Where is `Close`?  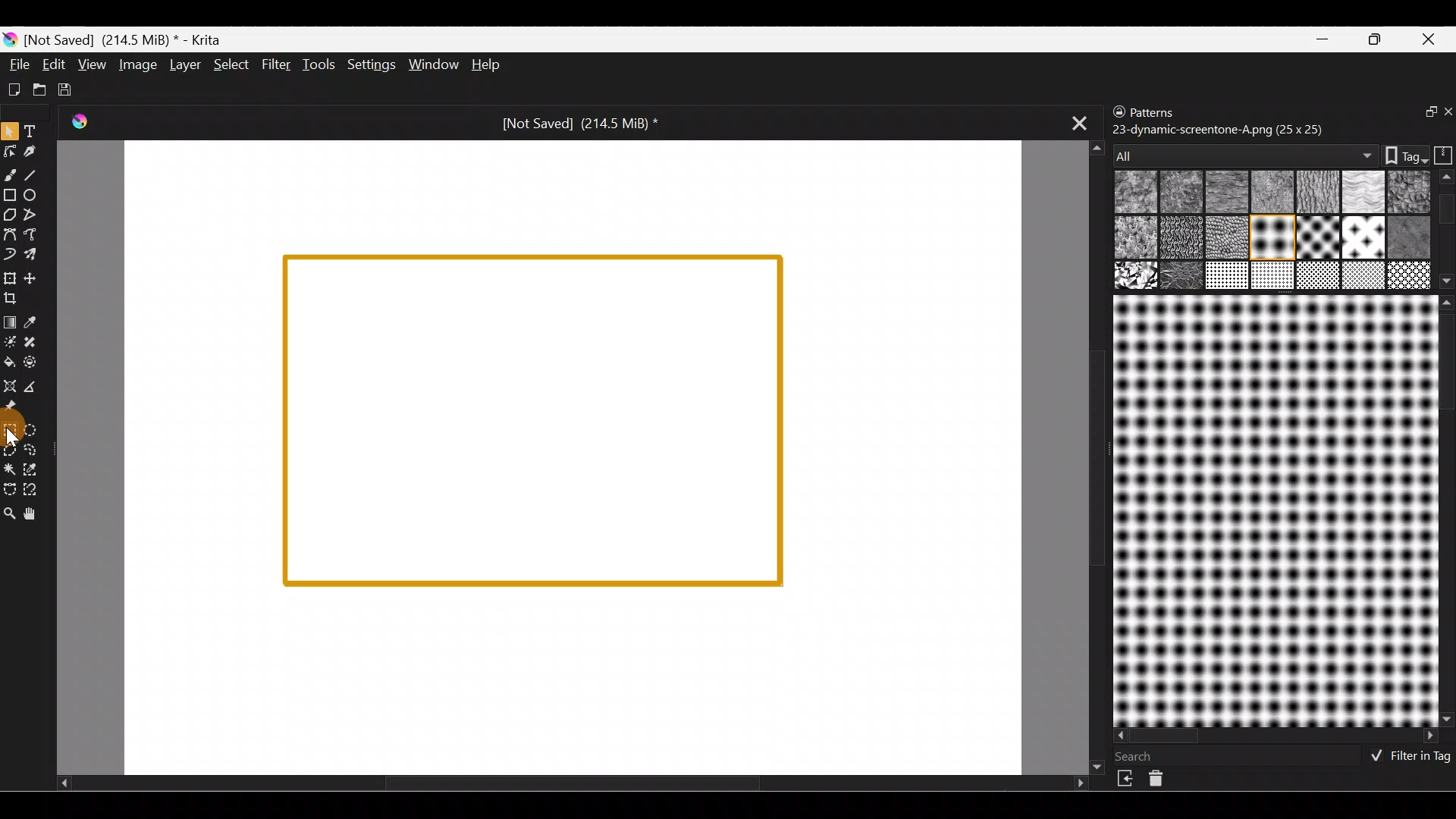 Close is located at coordinates (1432, 38).